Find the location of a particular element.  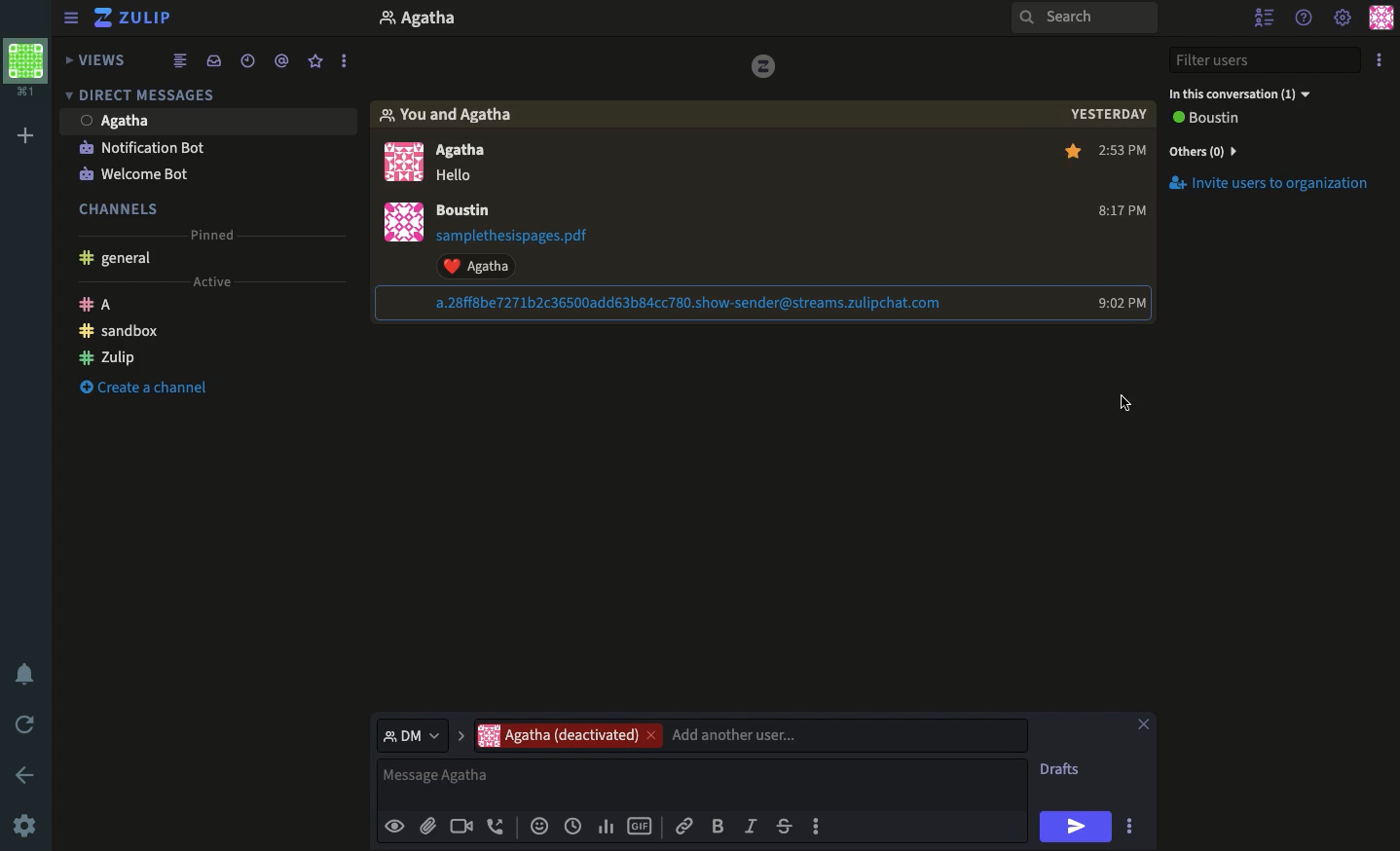

Filter users is located at coordinates (1266, 58).